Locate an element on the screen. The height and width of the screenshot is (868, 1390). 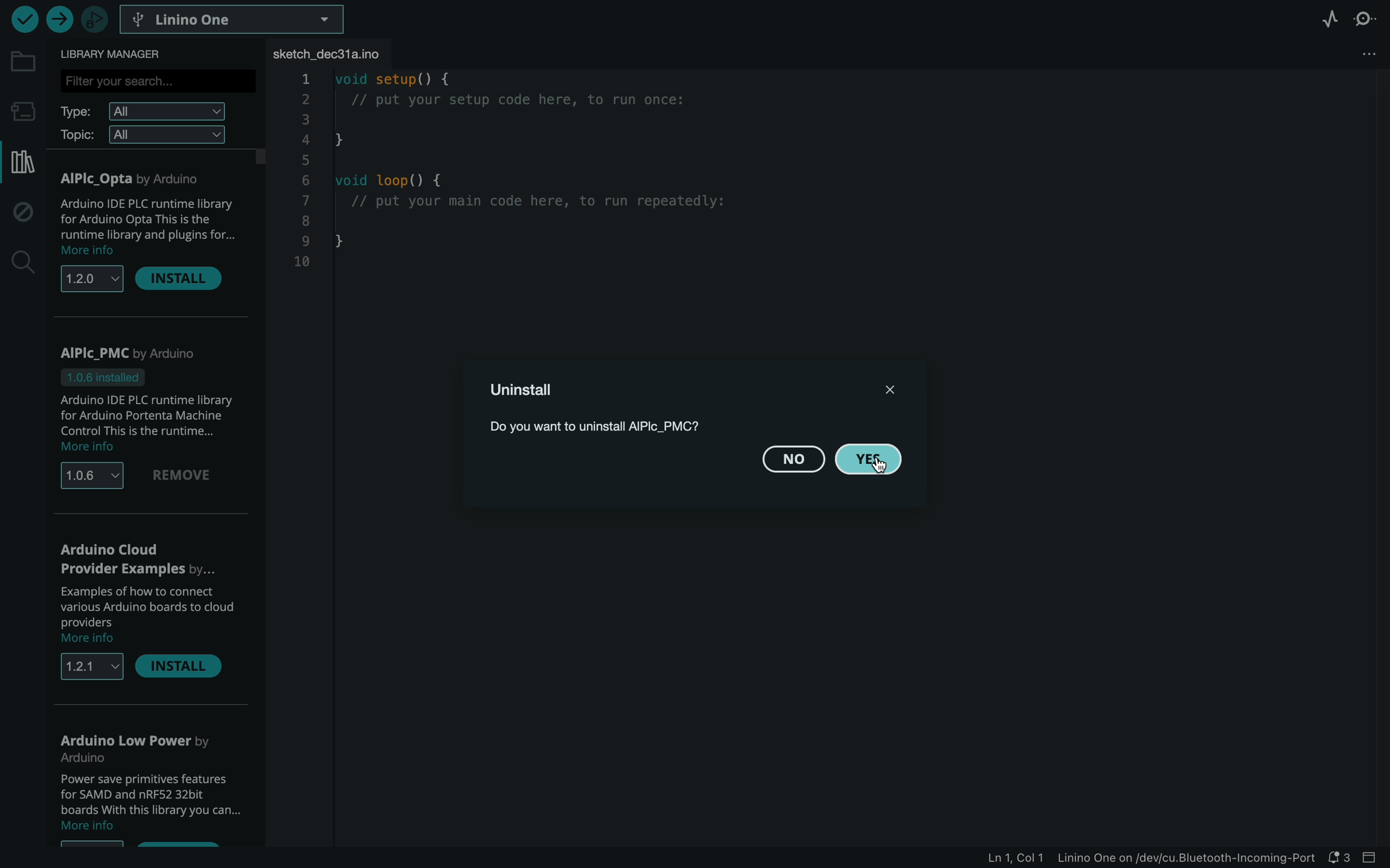
yes is located at coordinates (874, 460).